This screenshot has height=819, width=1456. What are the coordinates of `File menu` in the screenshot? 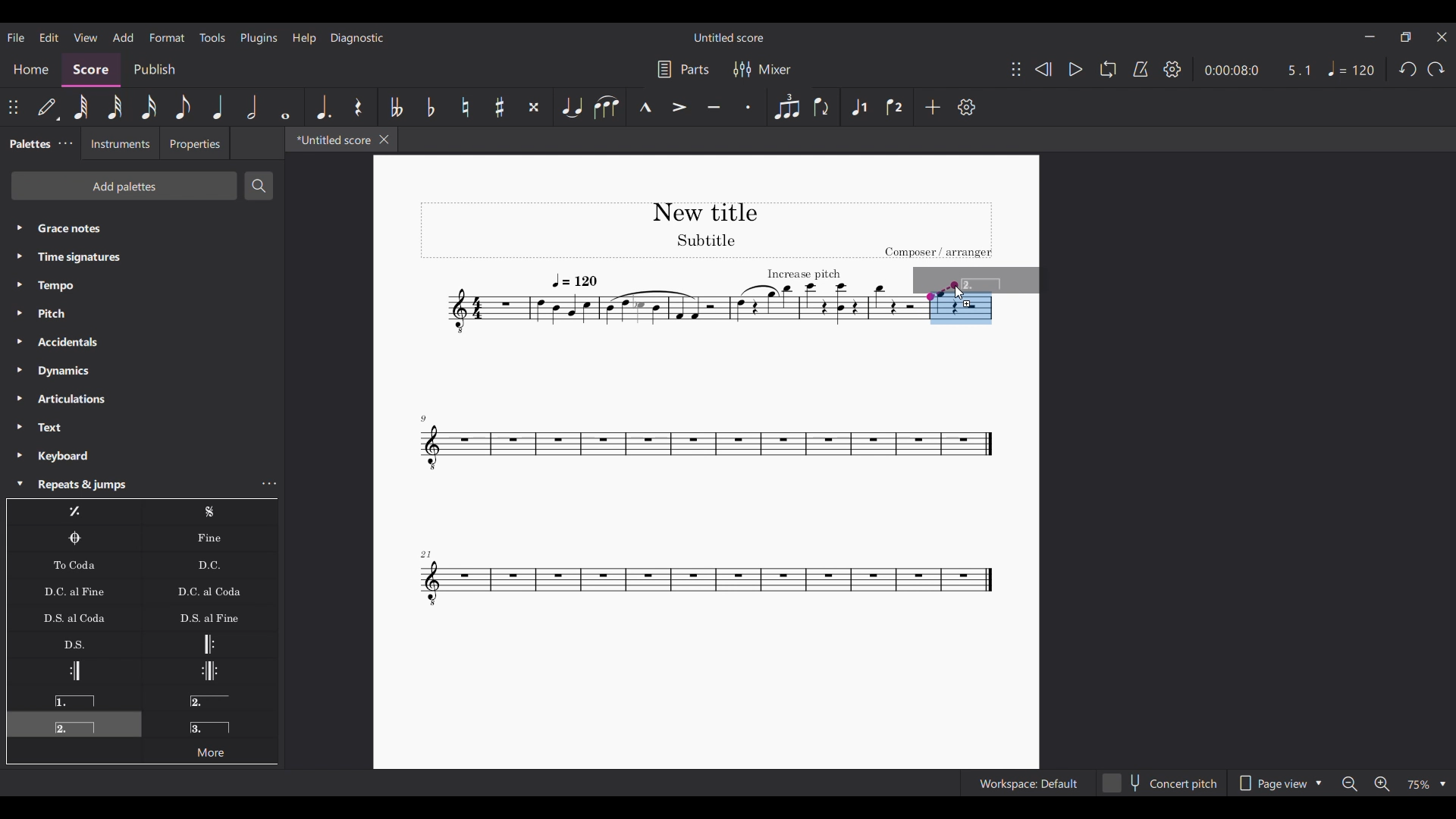 It's located at (16, 38).